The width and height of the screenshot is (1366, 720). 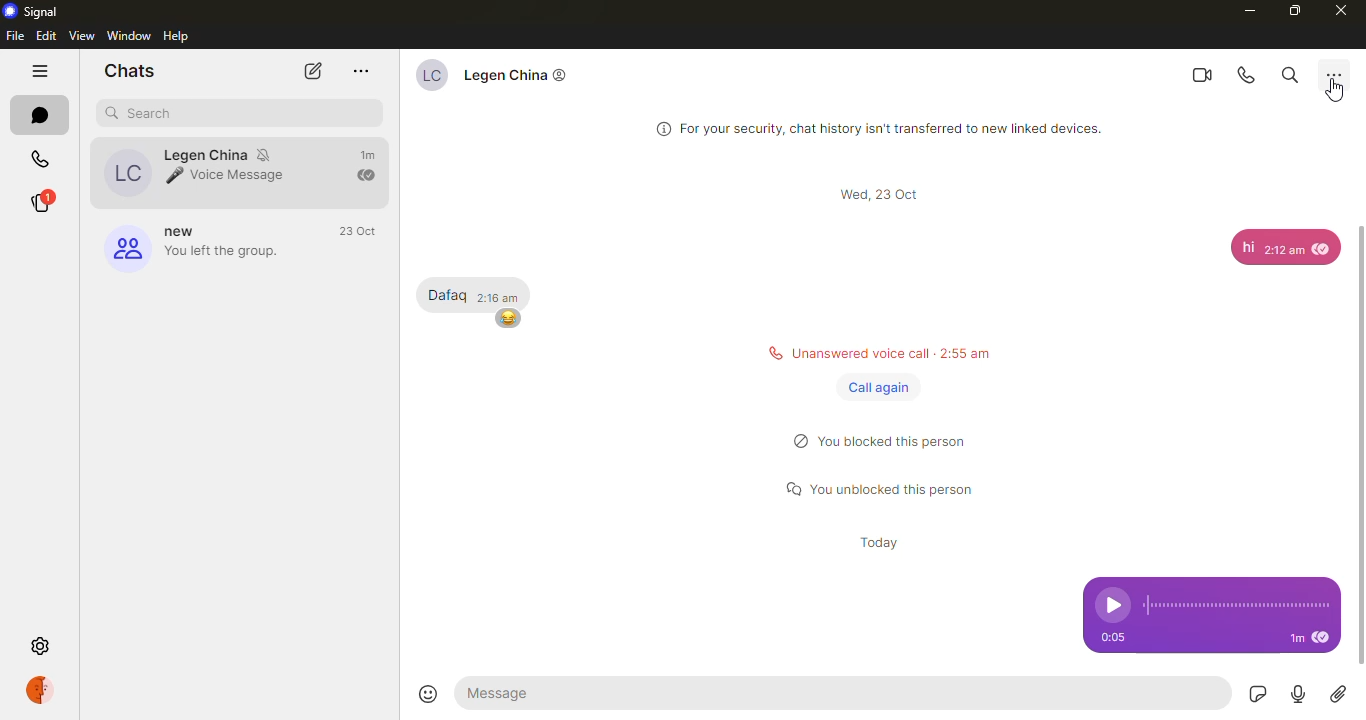 What do you see at coordinates (371, 156) in the screenshot?
I see `time` at bounding box center [371, 156].